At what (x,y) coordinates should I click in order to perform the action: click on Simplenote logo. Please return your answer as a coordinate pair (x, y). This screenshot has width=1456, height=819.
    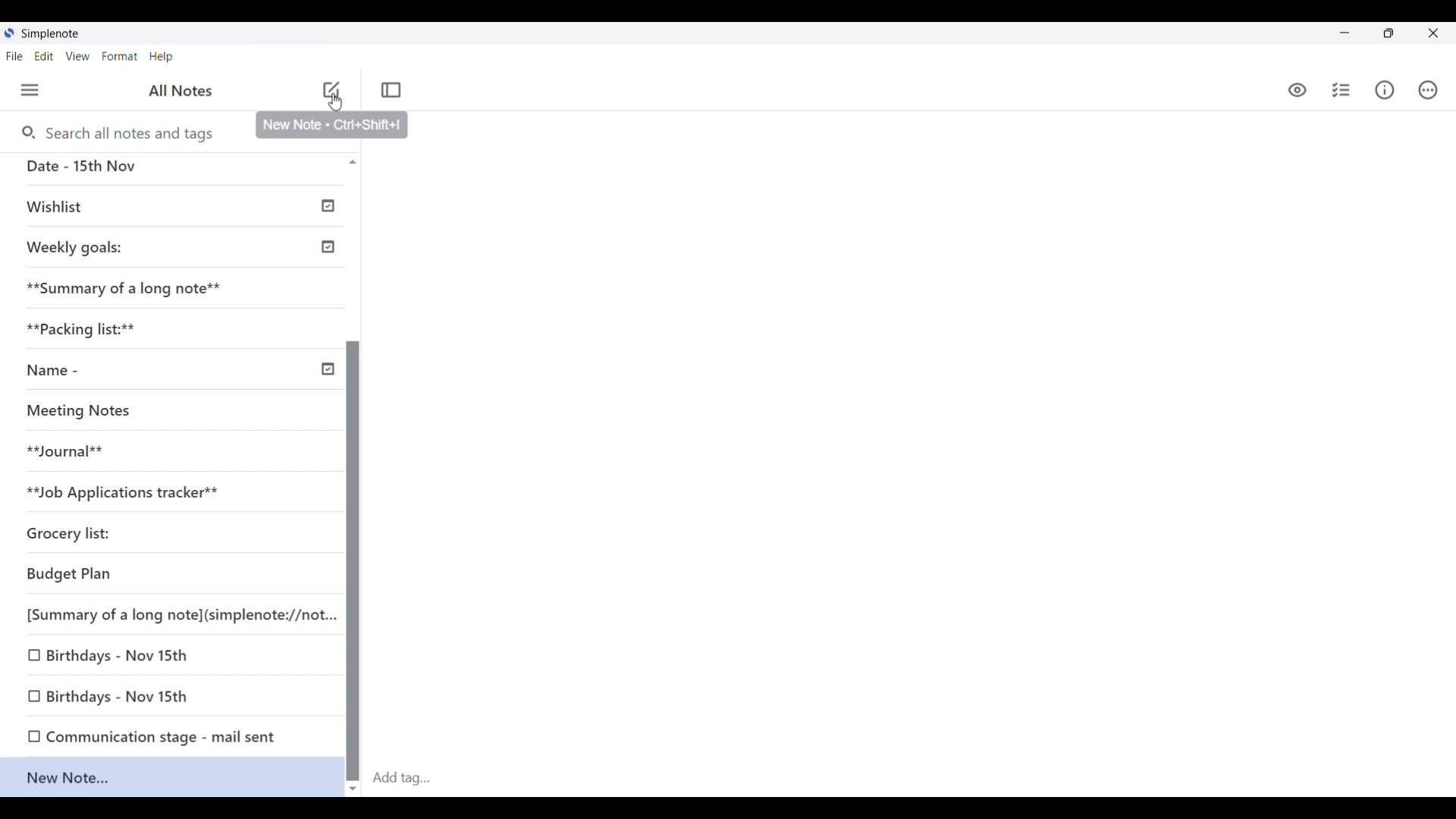
    Looking at the image, I should click on (9, 33).